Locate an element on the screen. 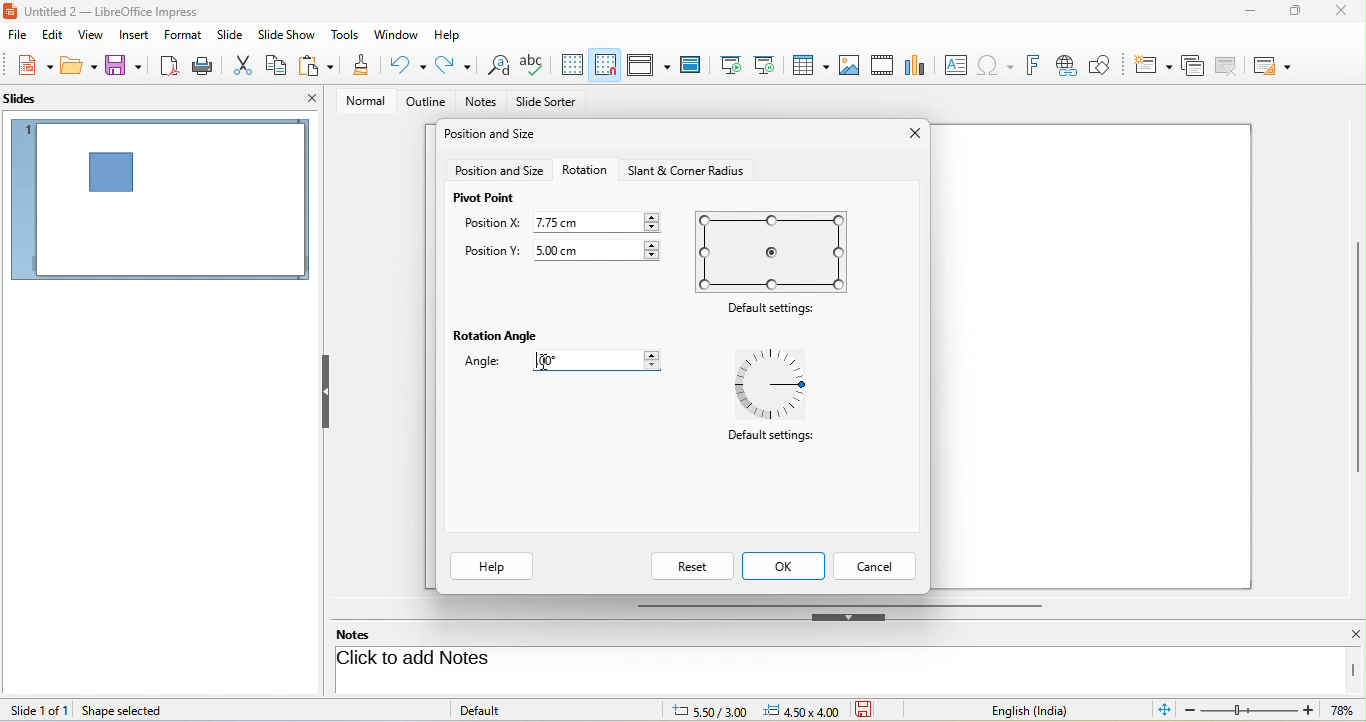 This screenshot has height=722, width=1366. slant and corner radius is located at coordinates (683, 170).